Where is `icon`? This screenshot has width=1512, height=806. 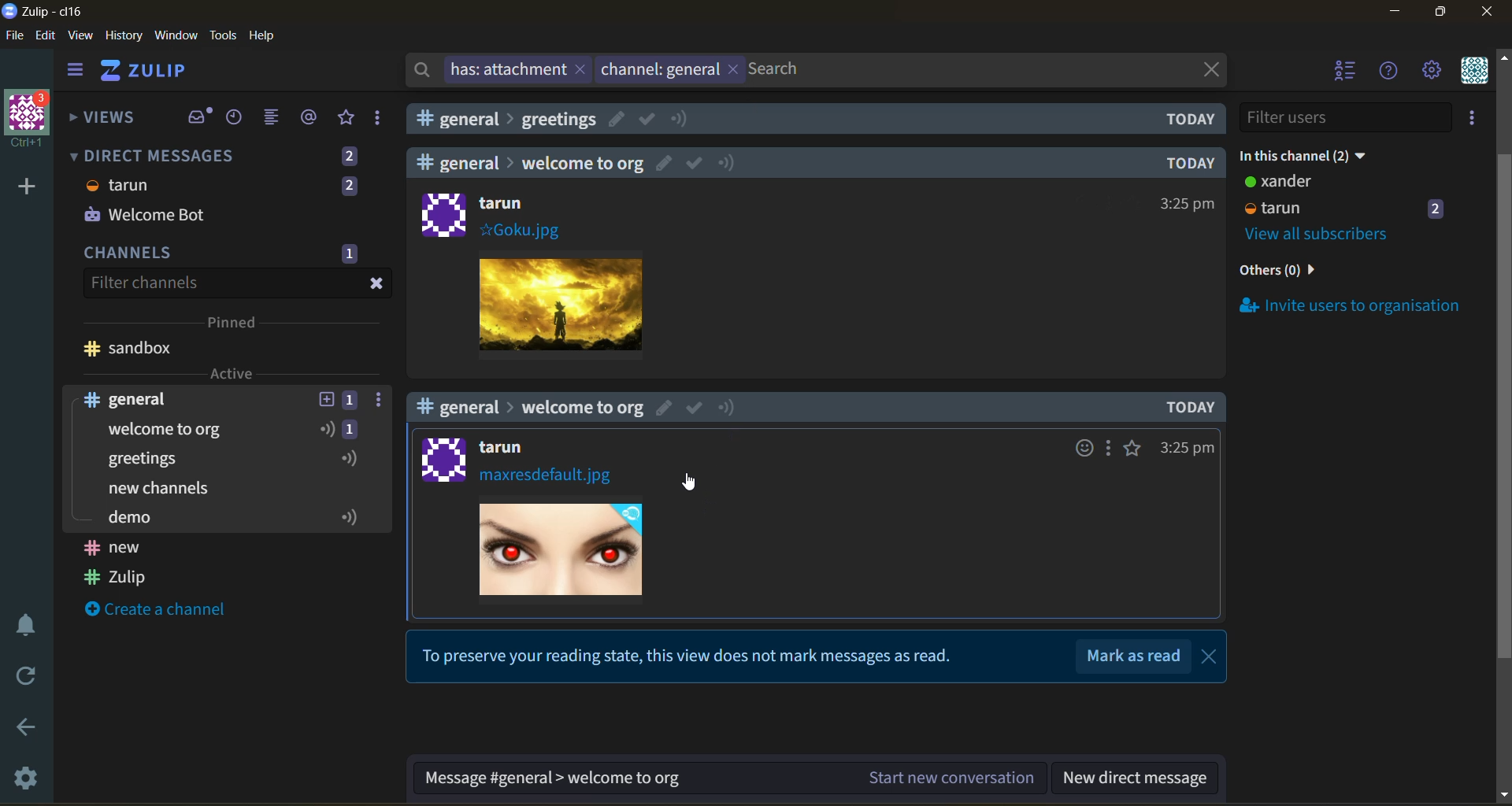
icon is located at coordinates (352, 518).